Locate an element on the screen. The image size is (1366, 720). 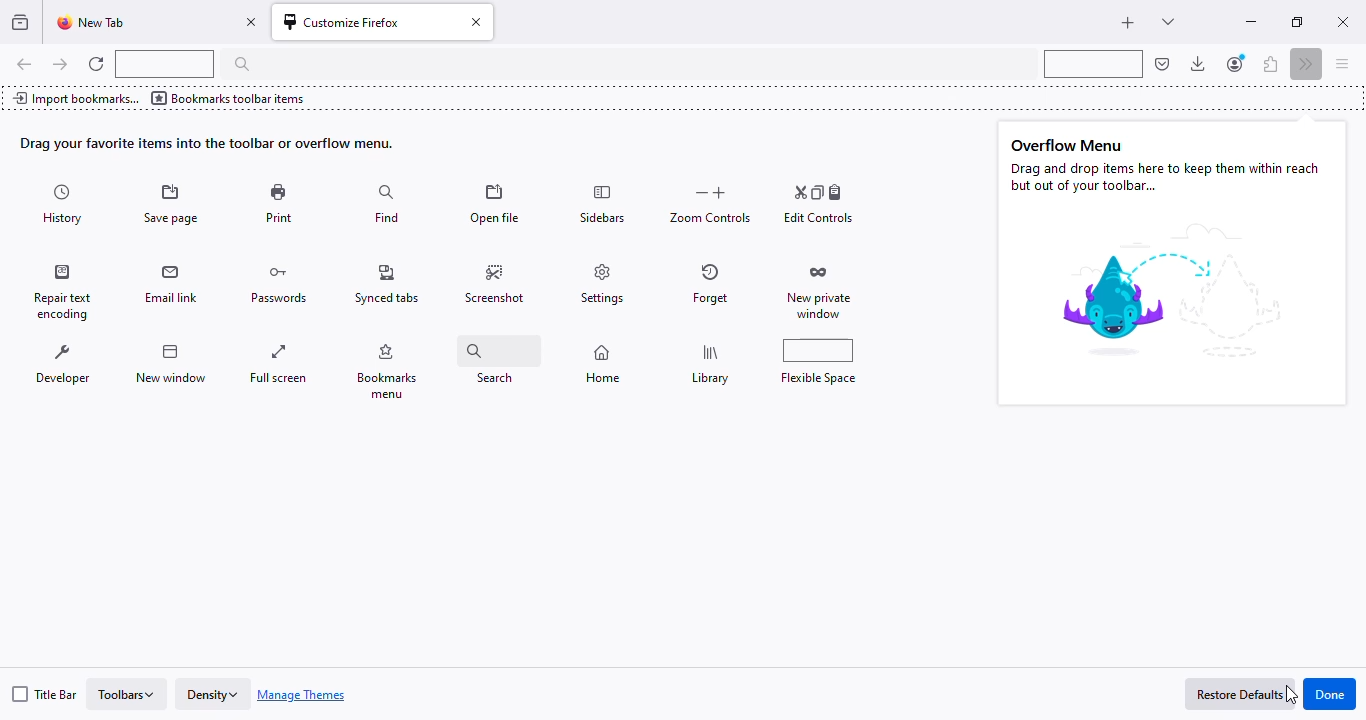
flexible space is located at coordinates (1095, 64).